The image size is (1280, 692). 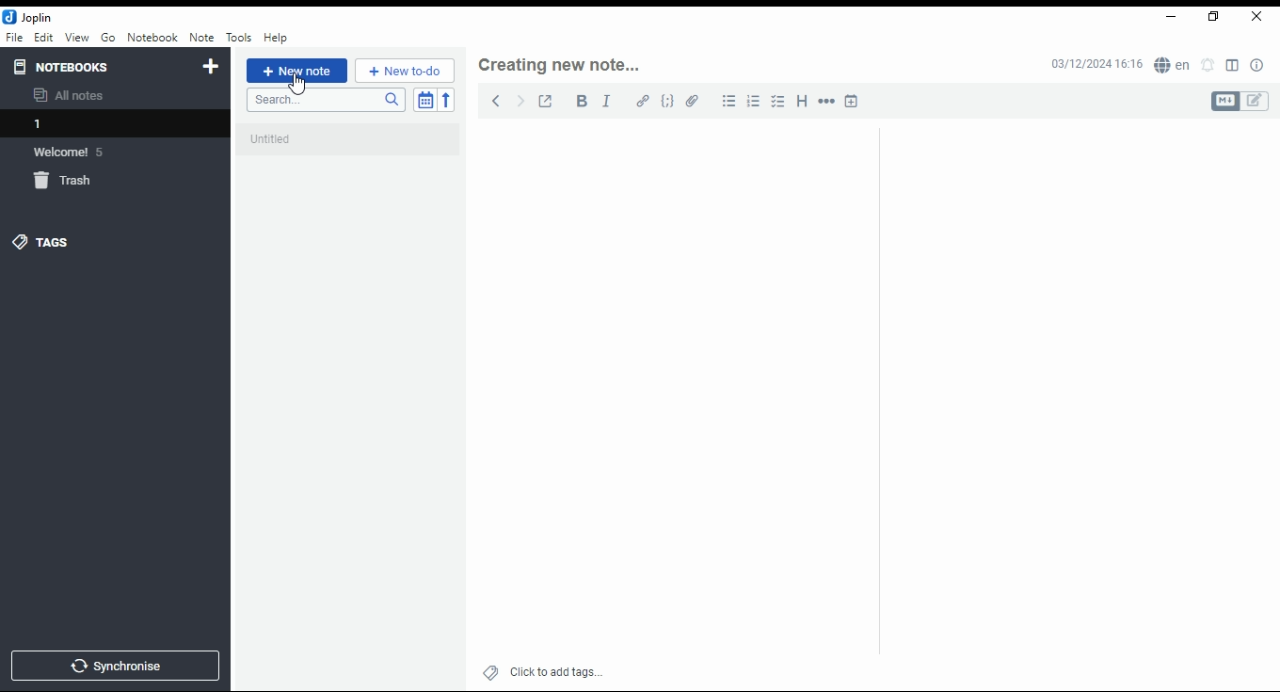 I want to click on help, so click(x=275, y=38).